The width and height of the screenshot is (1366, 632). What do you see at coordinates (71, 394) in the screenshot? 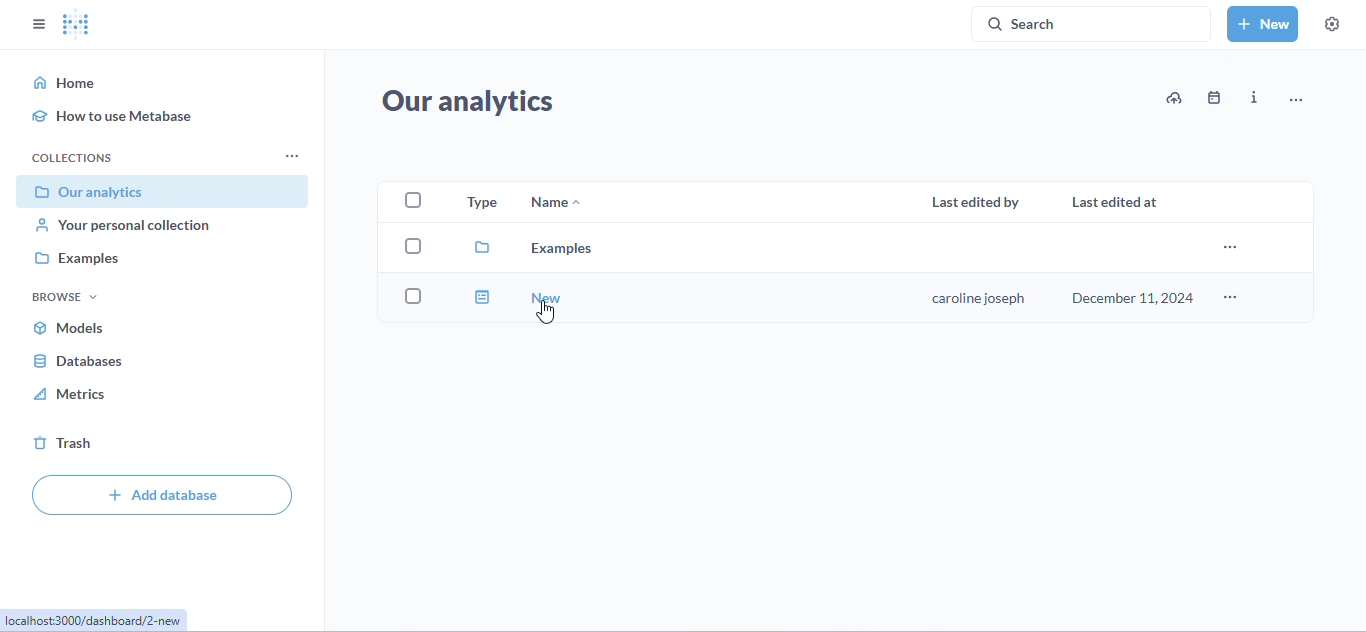
I see `metrics` at bounding box center [71, 394].